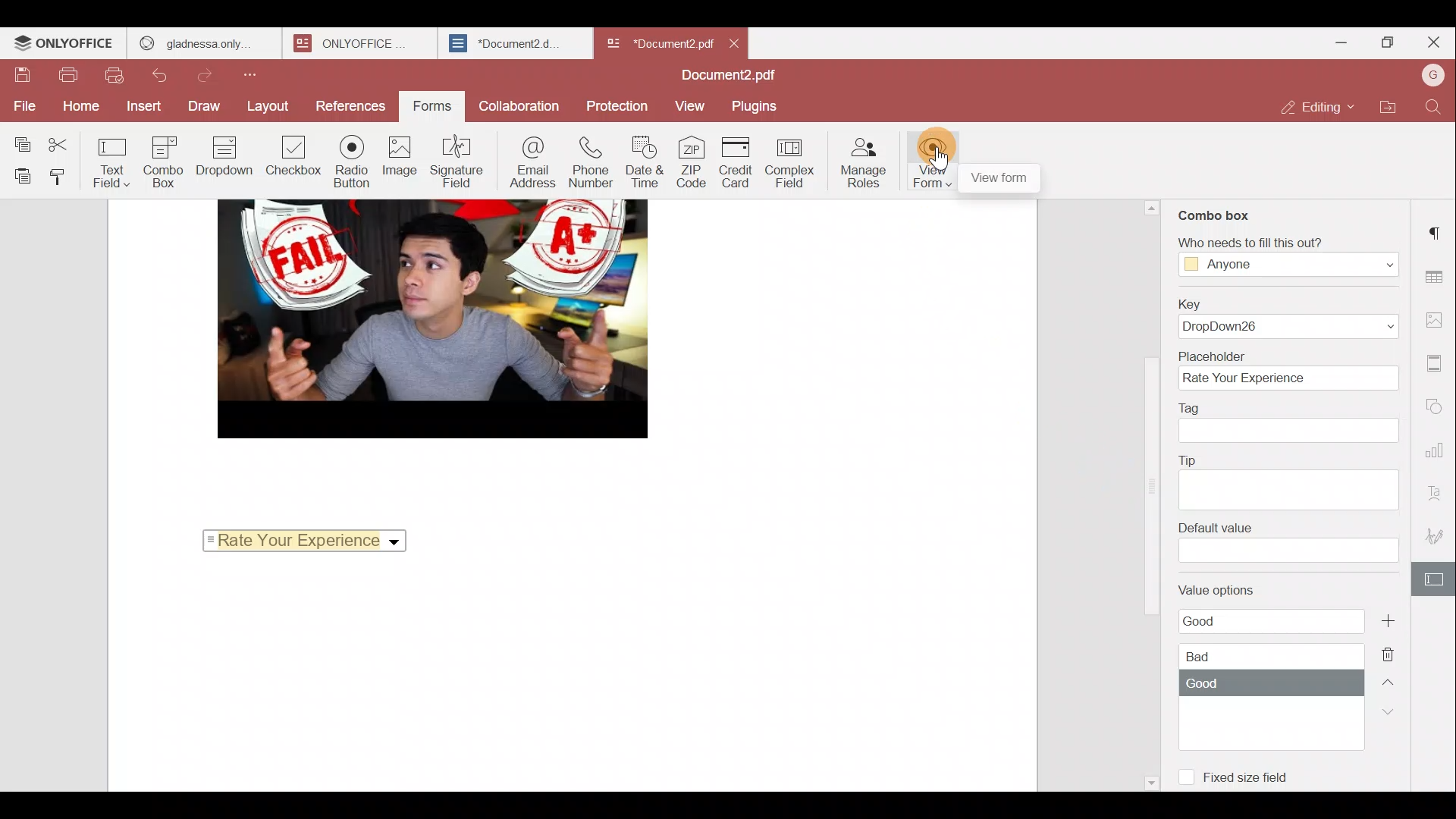 This screenshot has width=1456, height=819. What do you see at coordinates (757, 106) in the screenshot?
I see `Plugins` at bounding box center [757, 106].